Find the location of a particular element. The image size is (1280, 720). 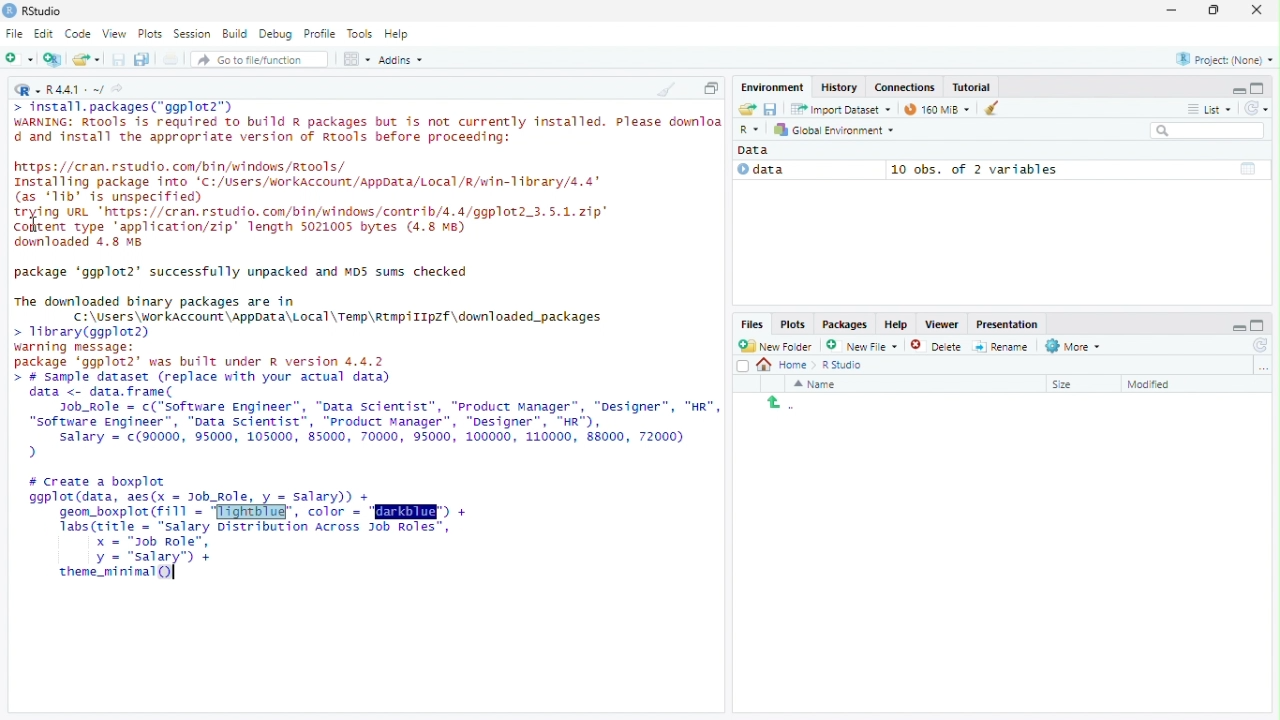

More file commands is located at coordinates (1073, 346).